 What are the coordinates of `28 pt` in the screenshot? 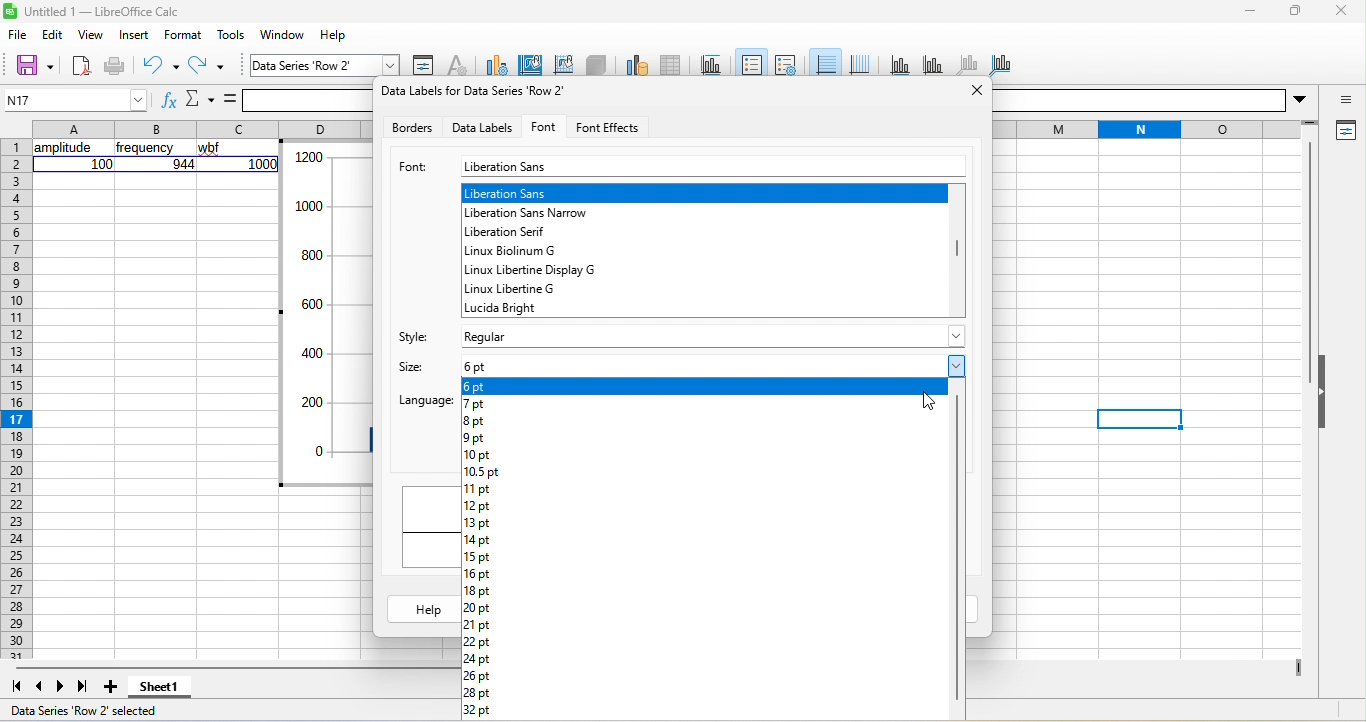 It's located at (478, 694).